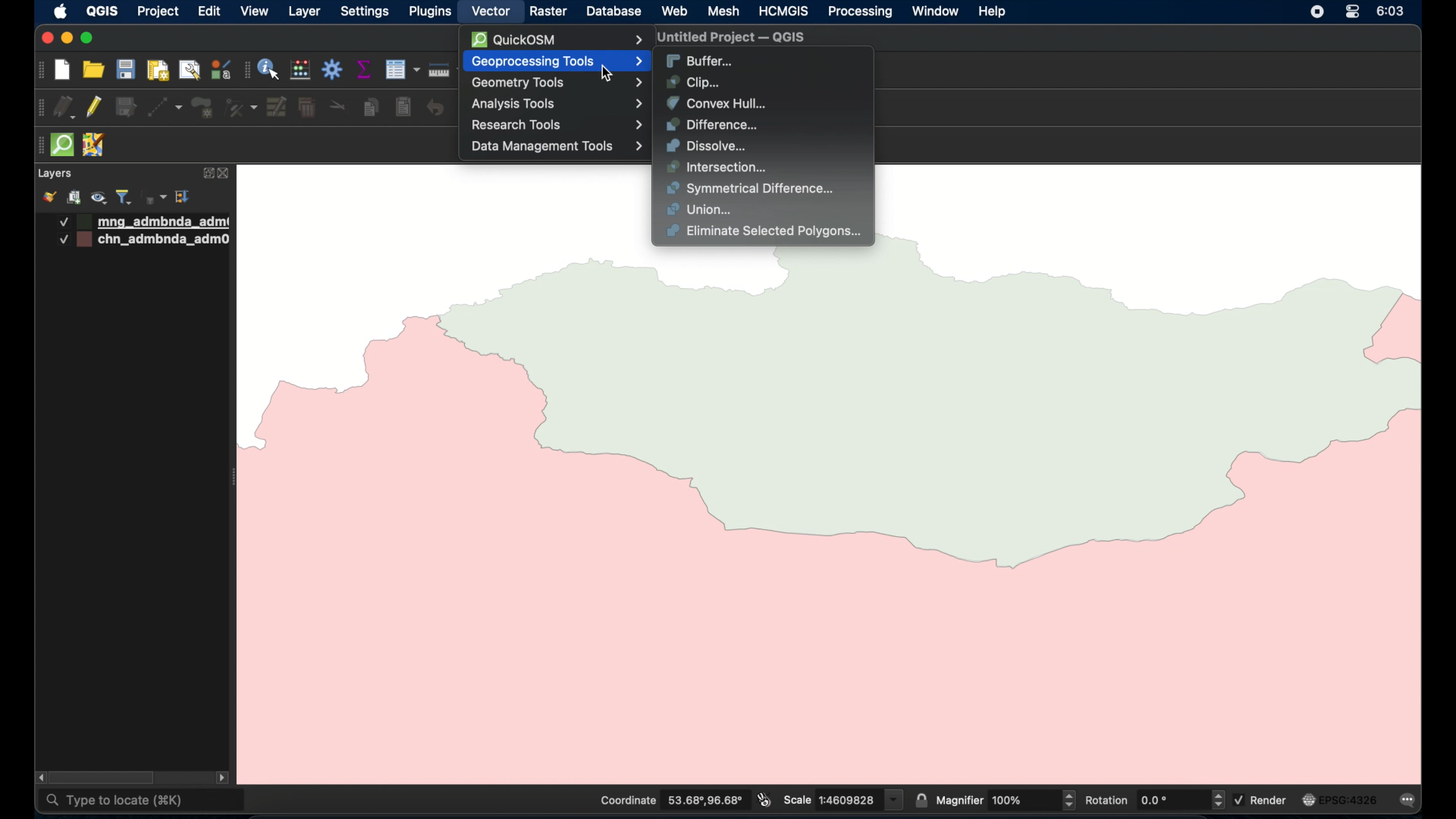 Image resolution: width=1456 pixels, height=819 pixels. Describe the element at coordinates (268, 71) in the screenshot. I see `` at that location.